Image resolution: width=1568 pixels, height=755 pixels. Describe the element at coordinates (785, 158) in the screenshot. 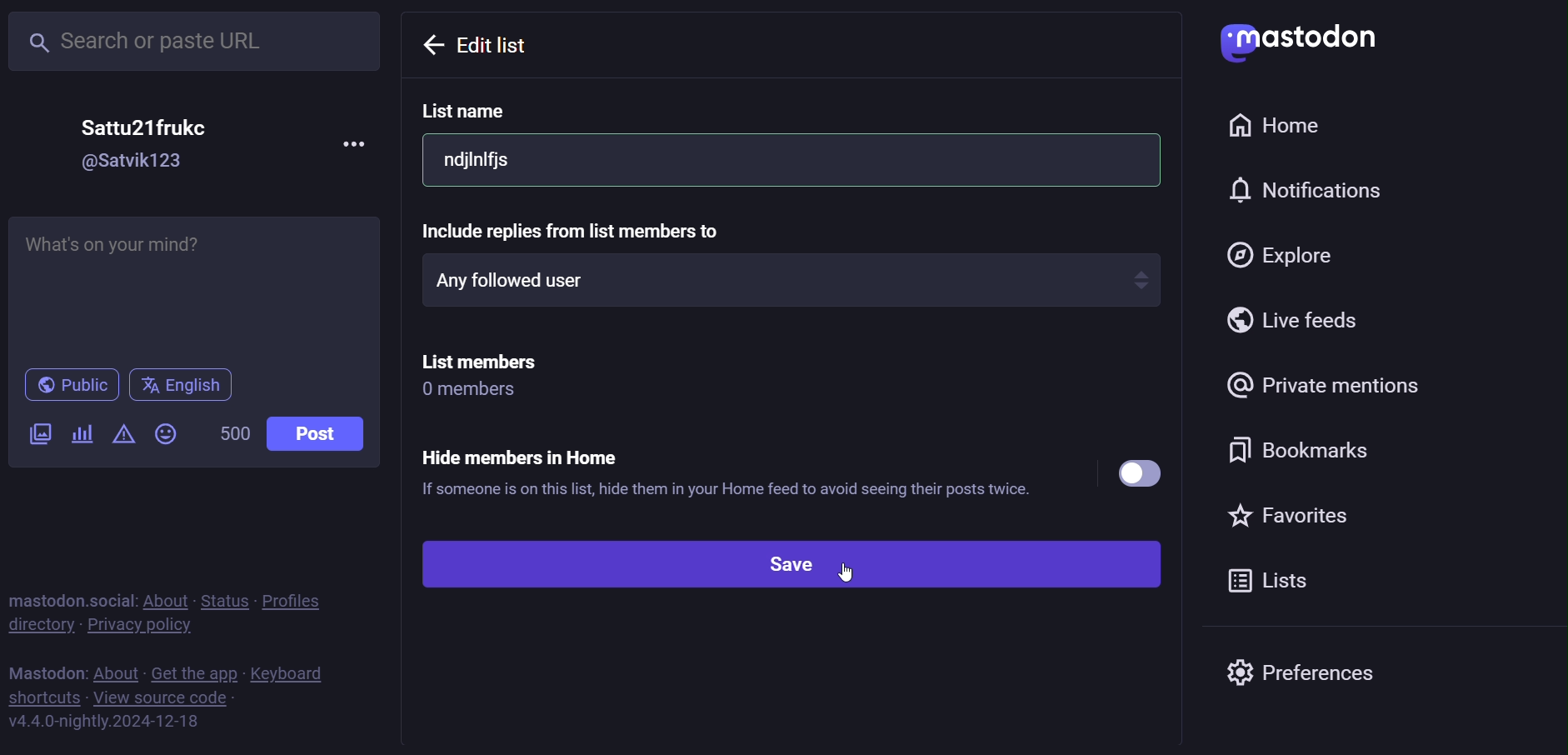

I see `list name` at that location.